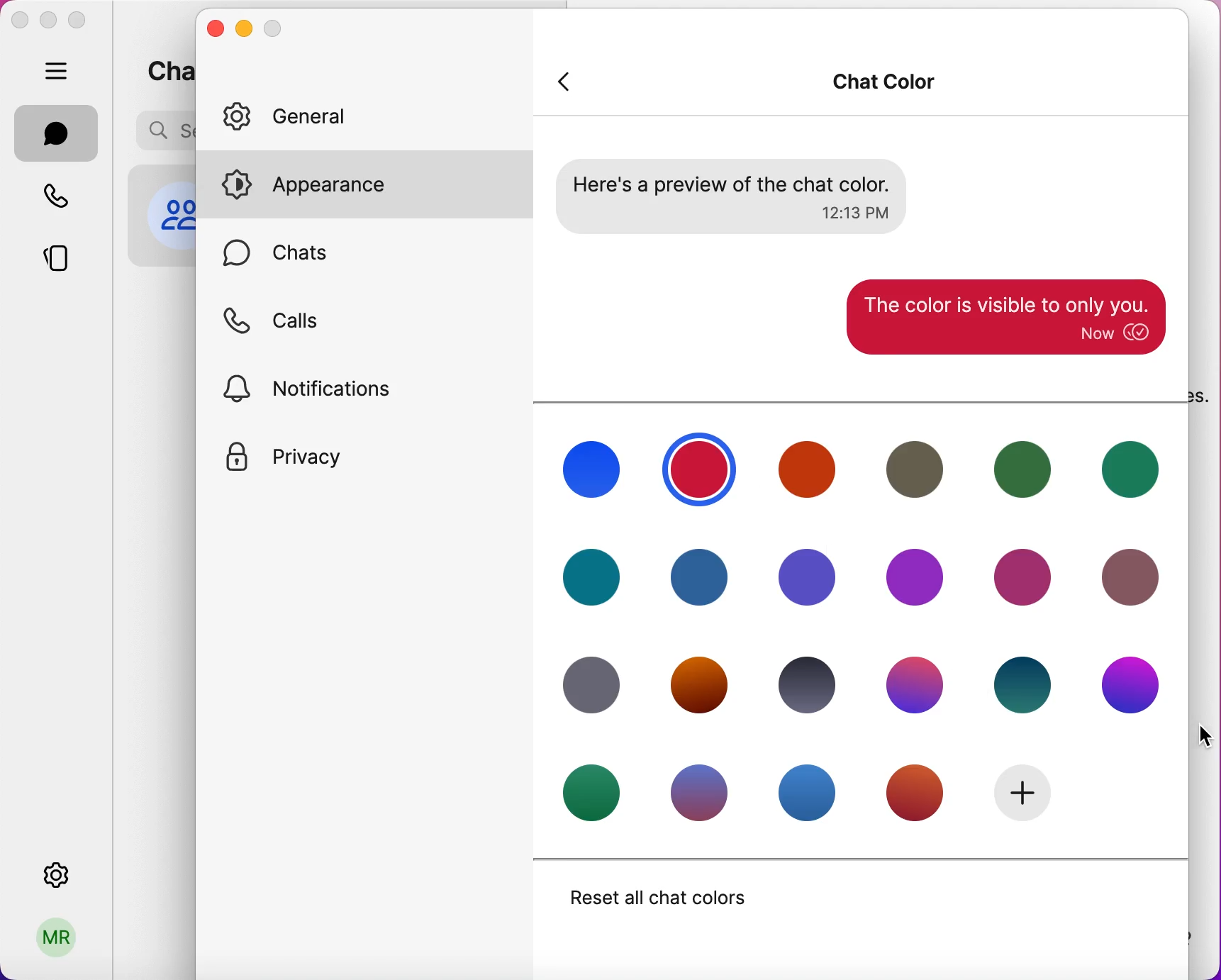 This screenshot has height=980, width=1221. What do you see at coordinates (19, 20) in the screenshot?
I see `close` at bounding box center [19, 20].